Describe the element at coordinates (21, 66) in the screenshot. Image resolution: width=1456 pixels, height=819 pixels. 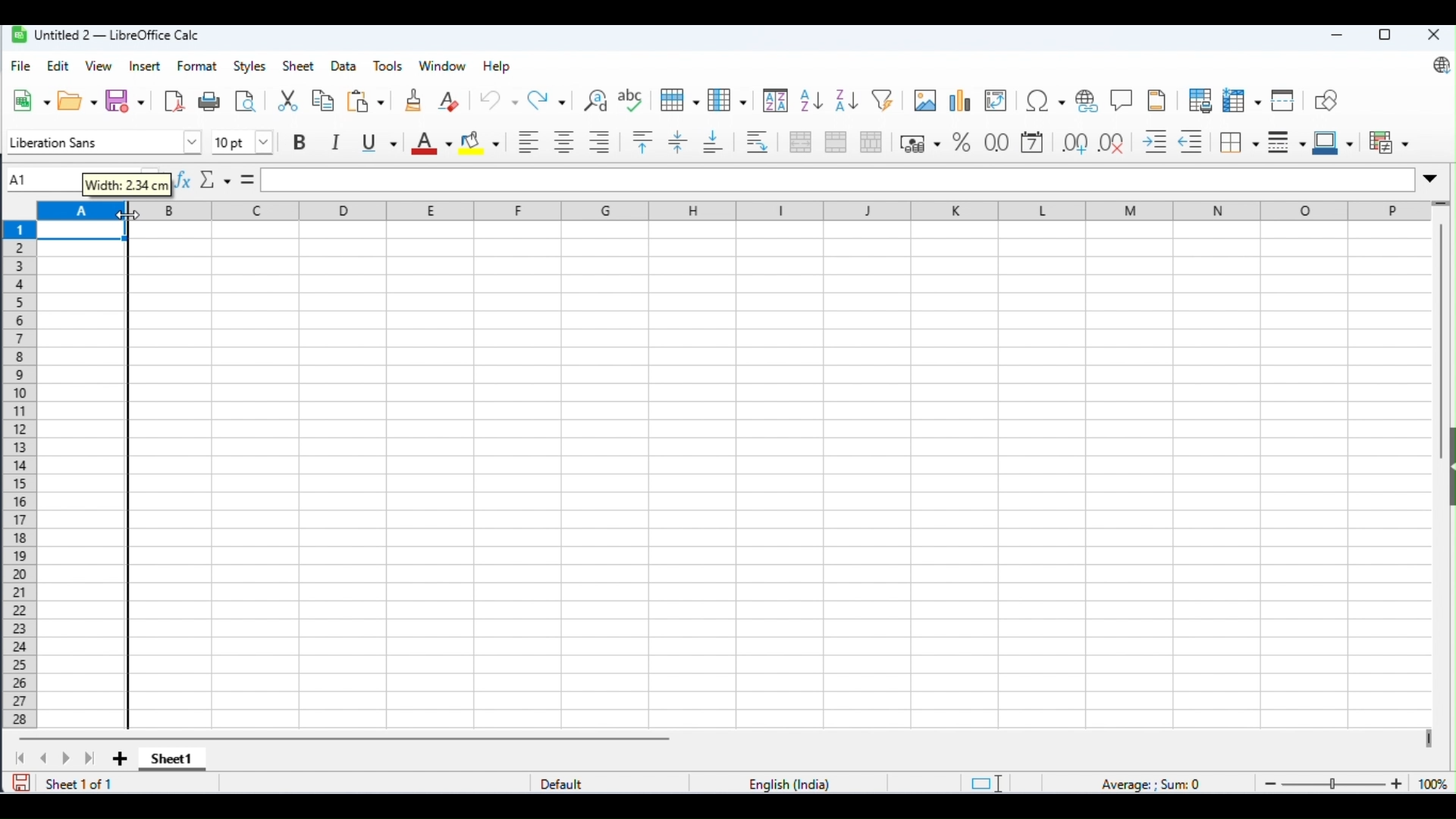
I see `file` at that location.